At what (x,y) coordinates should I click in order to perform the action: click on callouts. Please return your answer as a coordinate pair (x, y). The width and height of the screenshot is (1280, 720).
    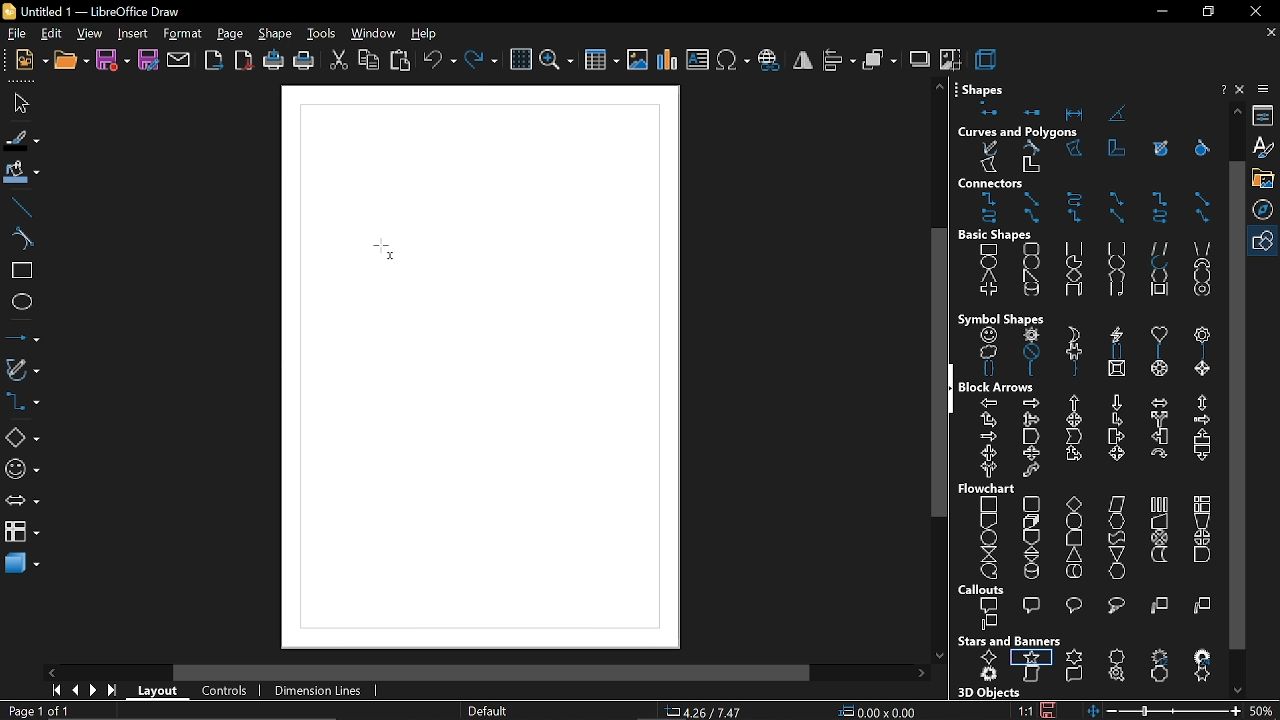
    Looking at the image, I should click on (1094, 613).